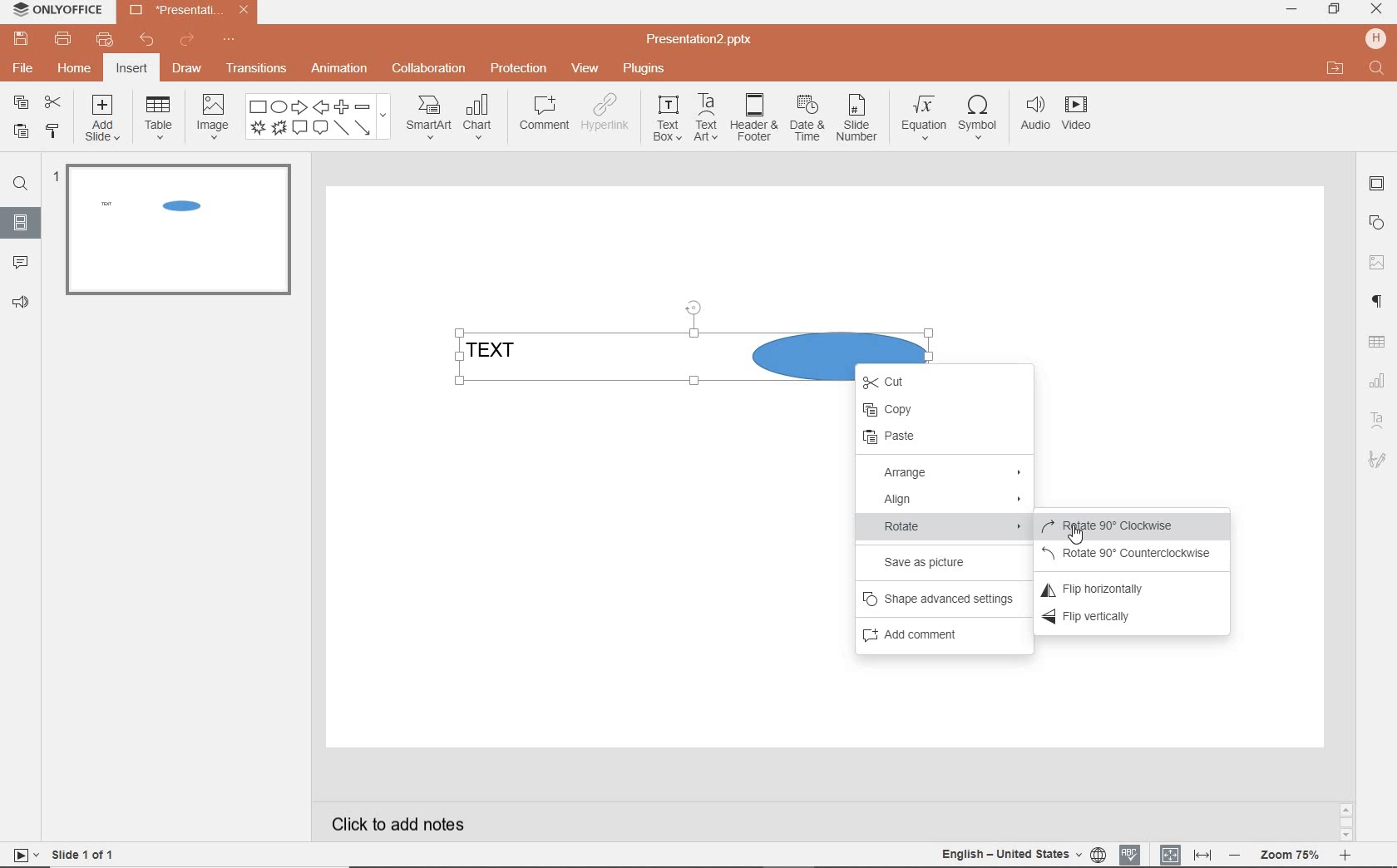  I want to click on Signature, so click(1376, 460).